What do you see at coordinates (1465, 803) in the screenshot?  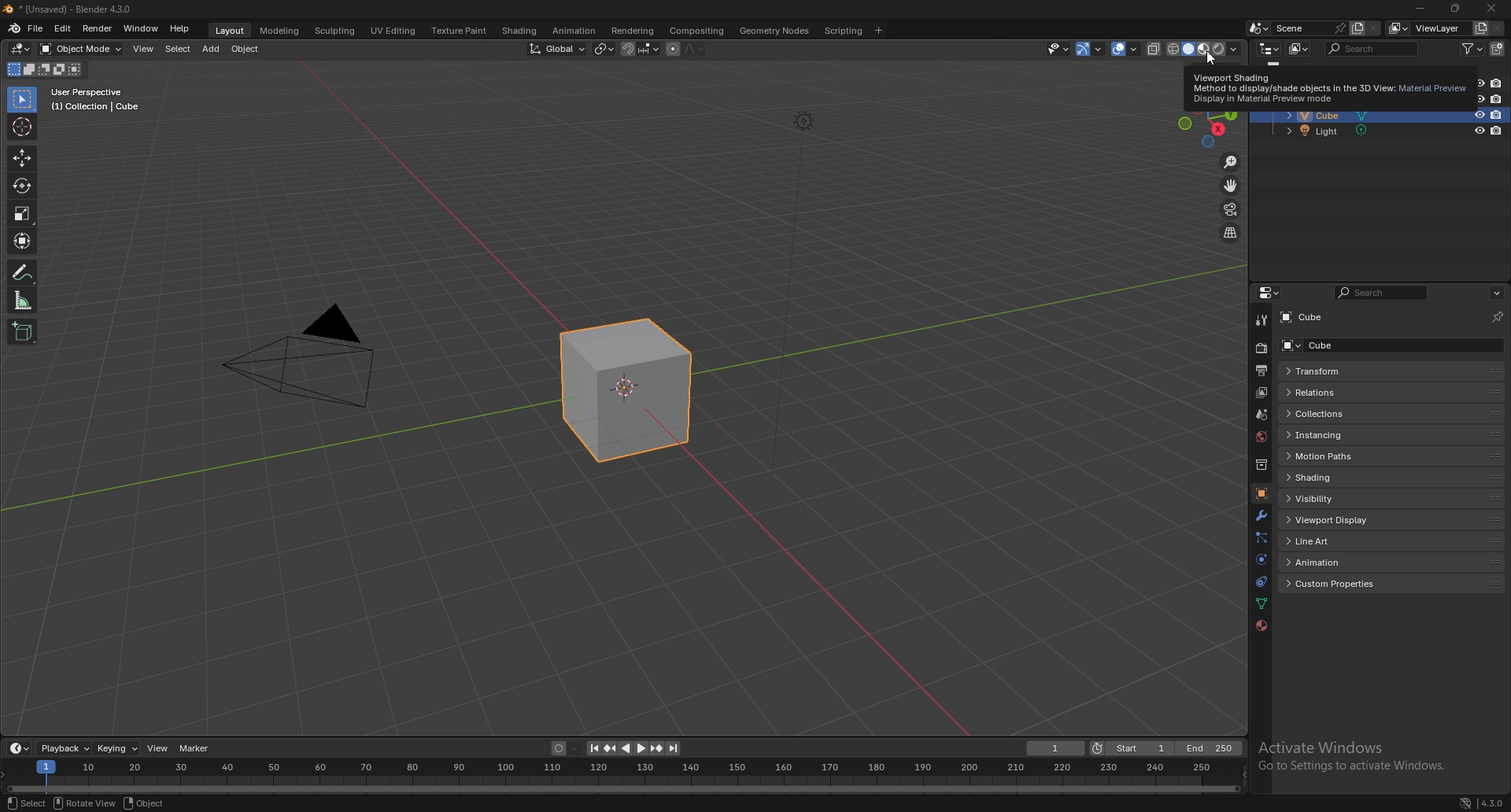 I see `network` at bounding box center [1465, 803].